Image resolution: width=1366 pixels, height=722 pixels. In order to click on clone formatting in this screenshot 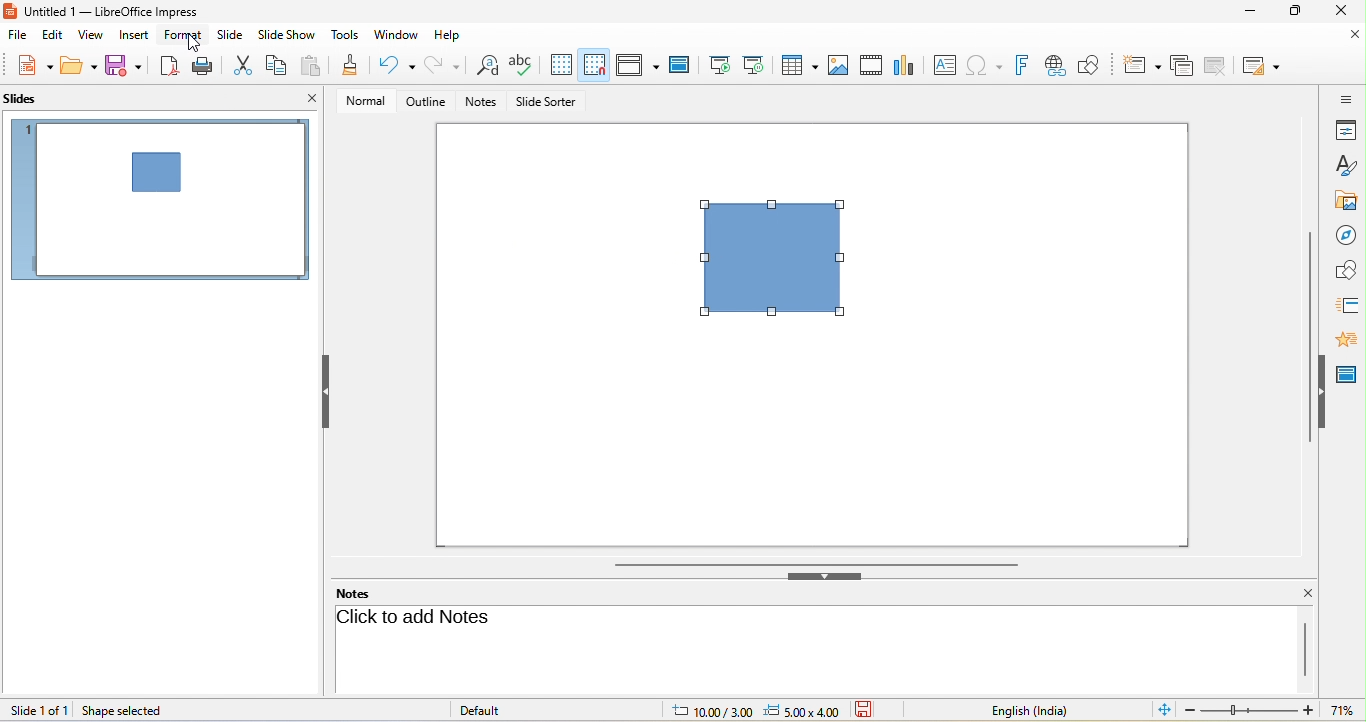, I will do `click(349, 66)`.